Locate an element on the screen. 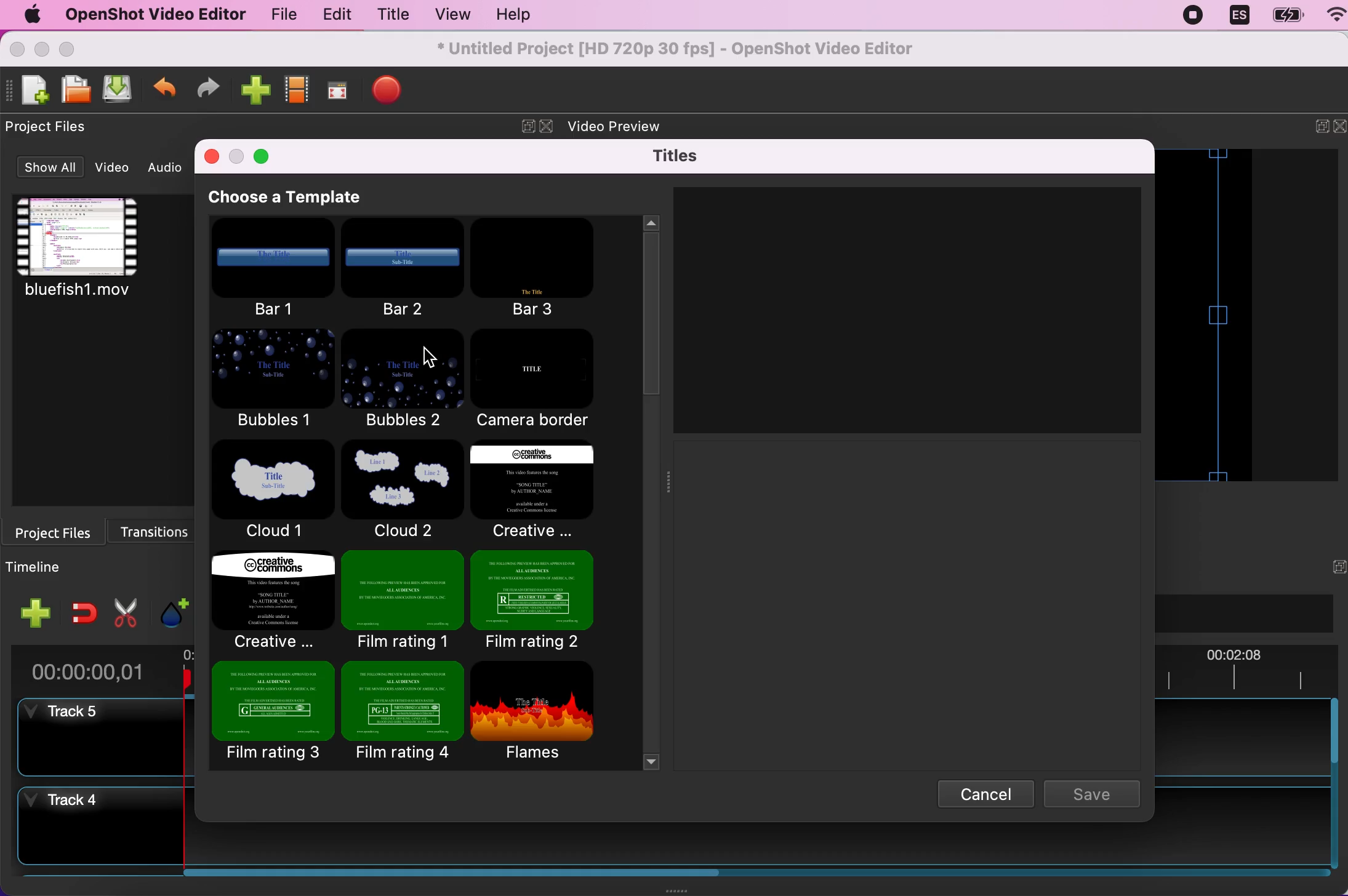 The image size is (1348, 896). track 5 is located at coordinates (93, 736).